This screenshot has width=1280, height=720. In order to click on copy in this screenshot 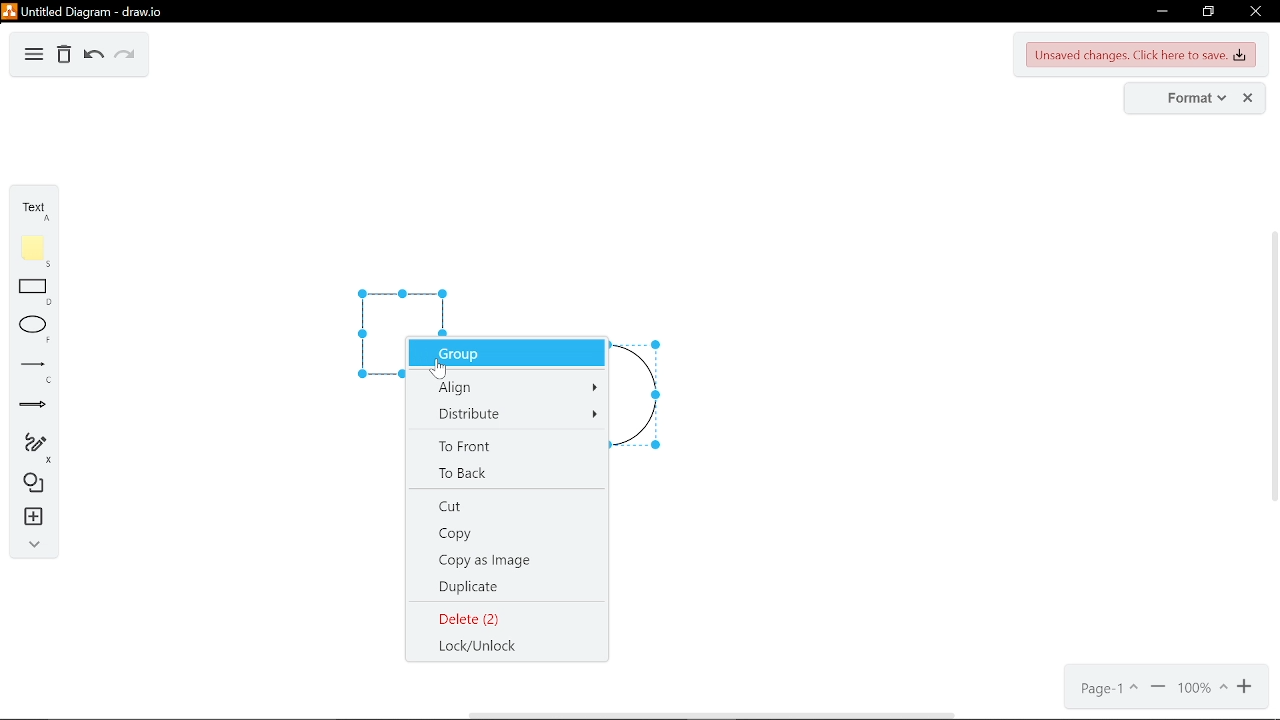, I will do `click(507, 533)`.